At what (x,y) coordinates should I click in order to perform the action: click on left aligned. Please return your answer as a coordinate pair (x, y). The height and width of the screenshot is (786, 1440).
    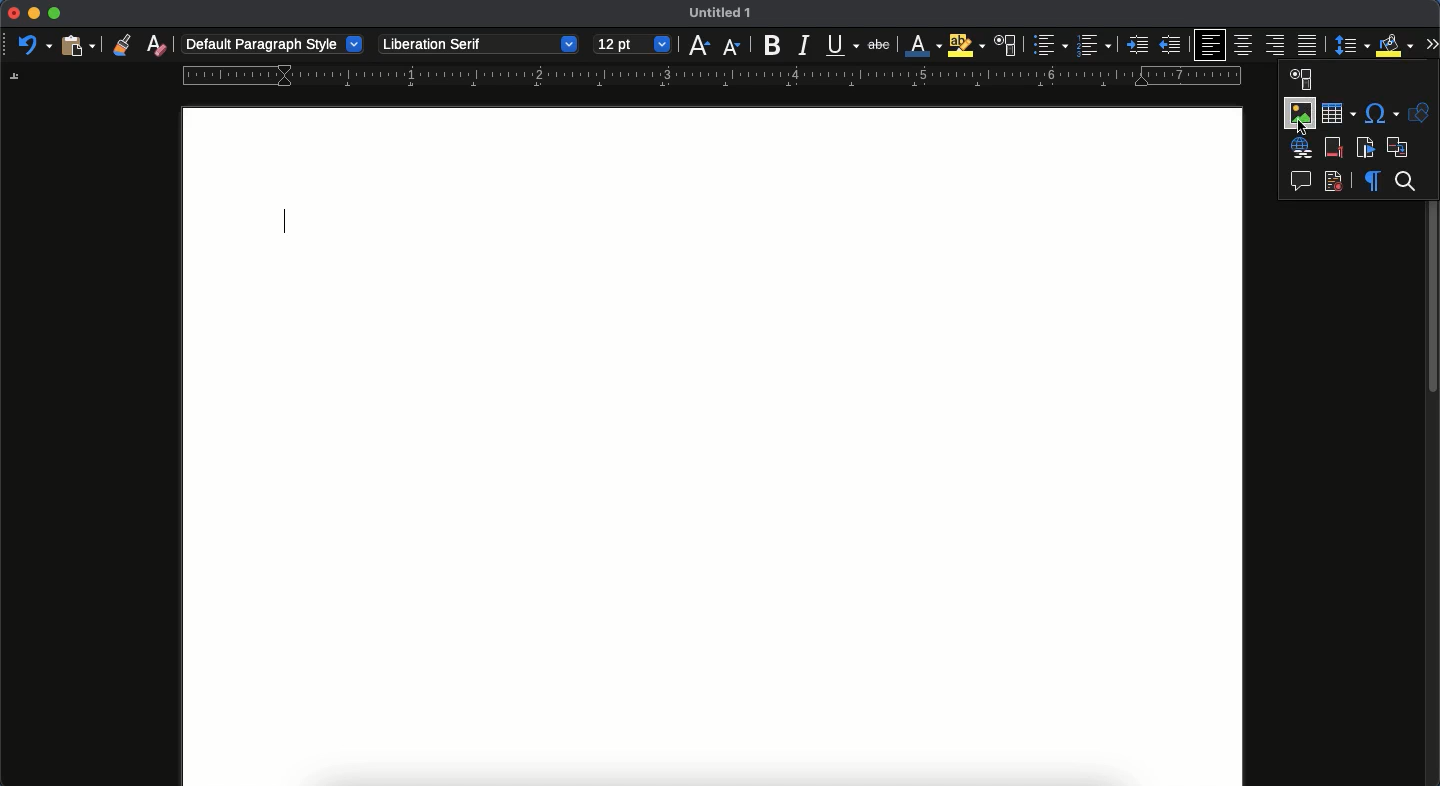
    Looking at the image, I should click on (1208, 45).